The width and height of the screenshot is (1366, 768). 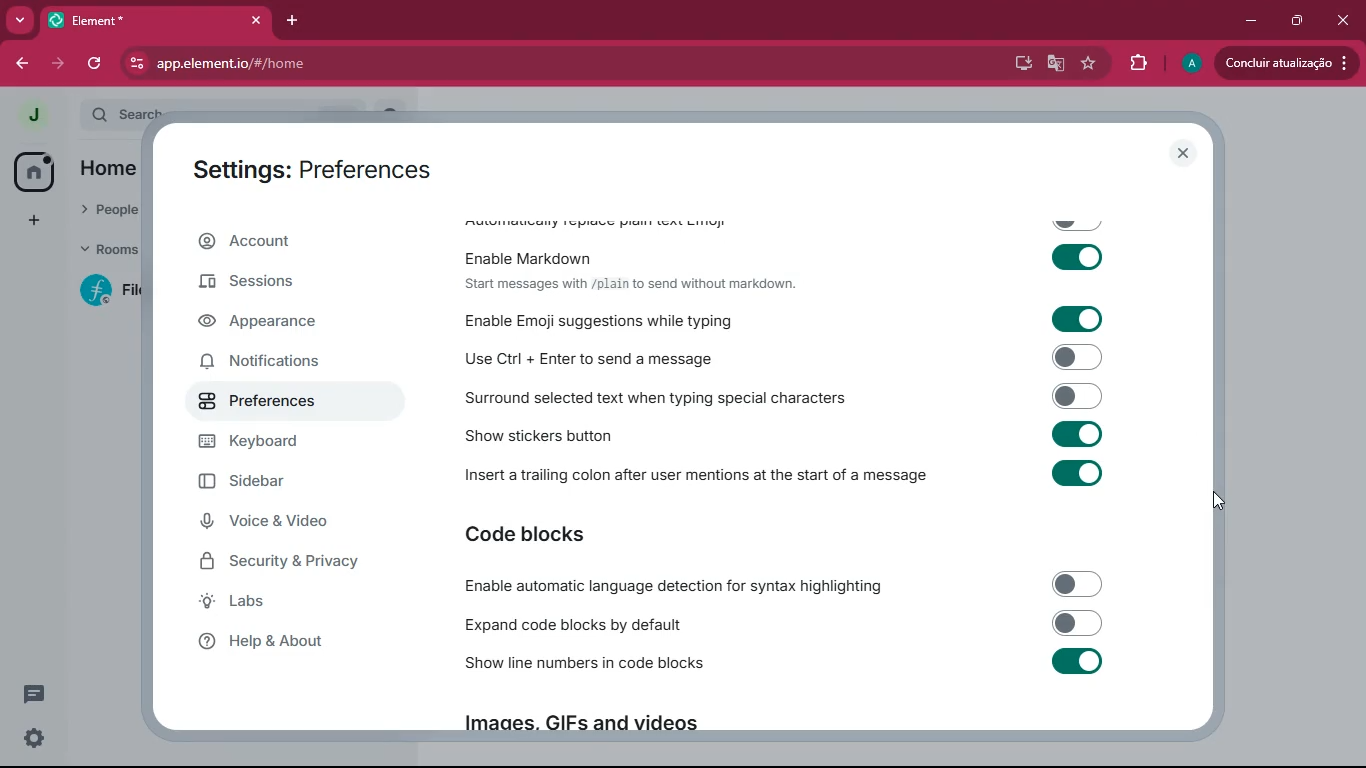 What do you see at coordinates (282, 284) in the screenshot?
I see `sessions` at bounding box center [282, 284].